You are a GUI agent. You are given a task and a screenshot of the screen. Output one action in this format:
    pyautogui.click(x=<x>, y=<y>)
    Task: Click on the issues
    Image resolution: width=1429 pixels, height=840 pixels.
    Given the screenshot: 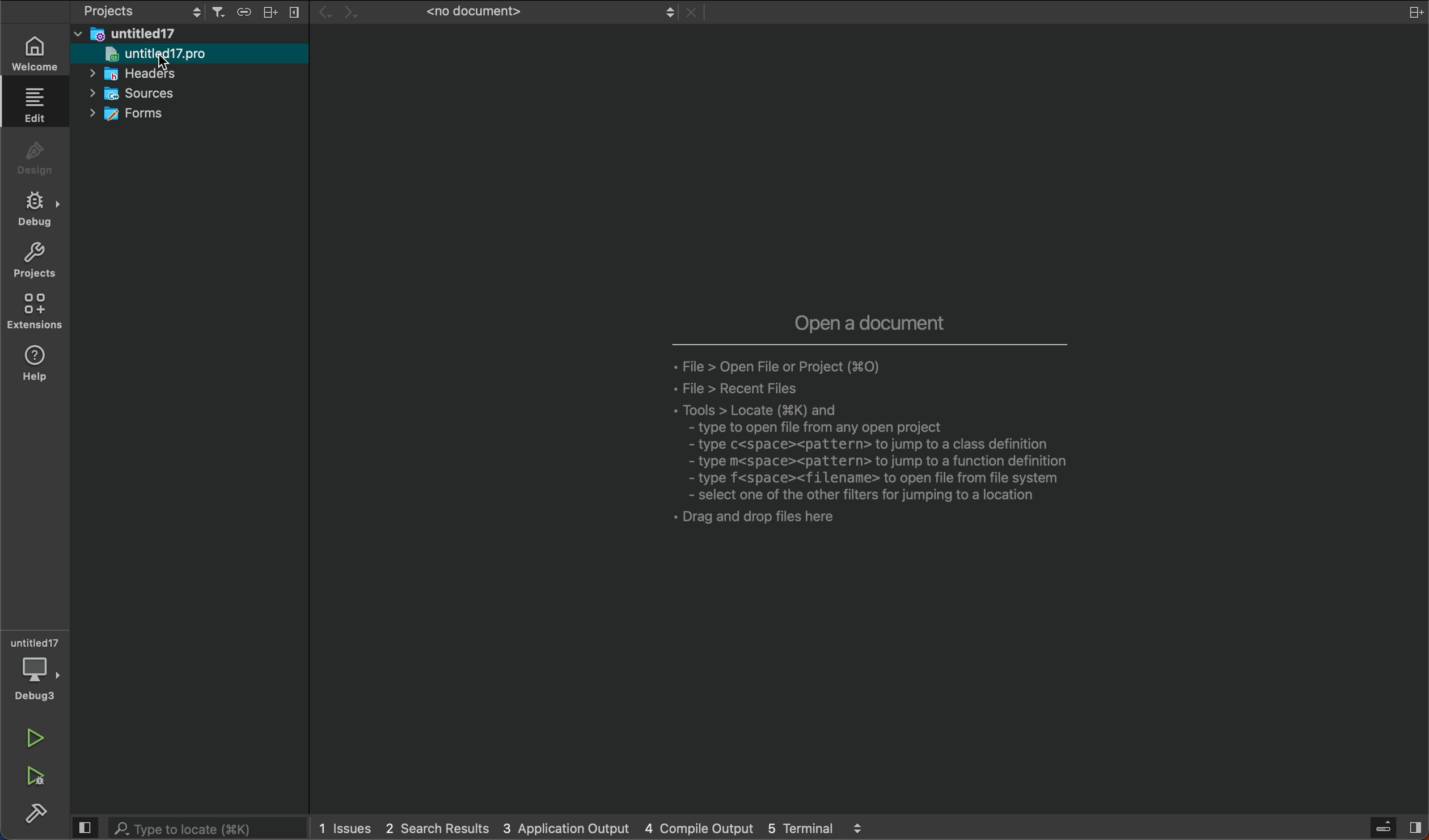 What is the action you would take?
    pyautogui.click(x=346, y=826)
    